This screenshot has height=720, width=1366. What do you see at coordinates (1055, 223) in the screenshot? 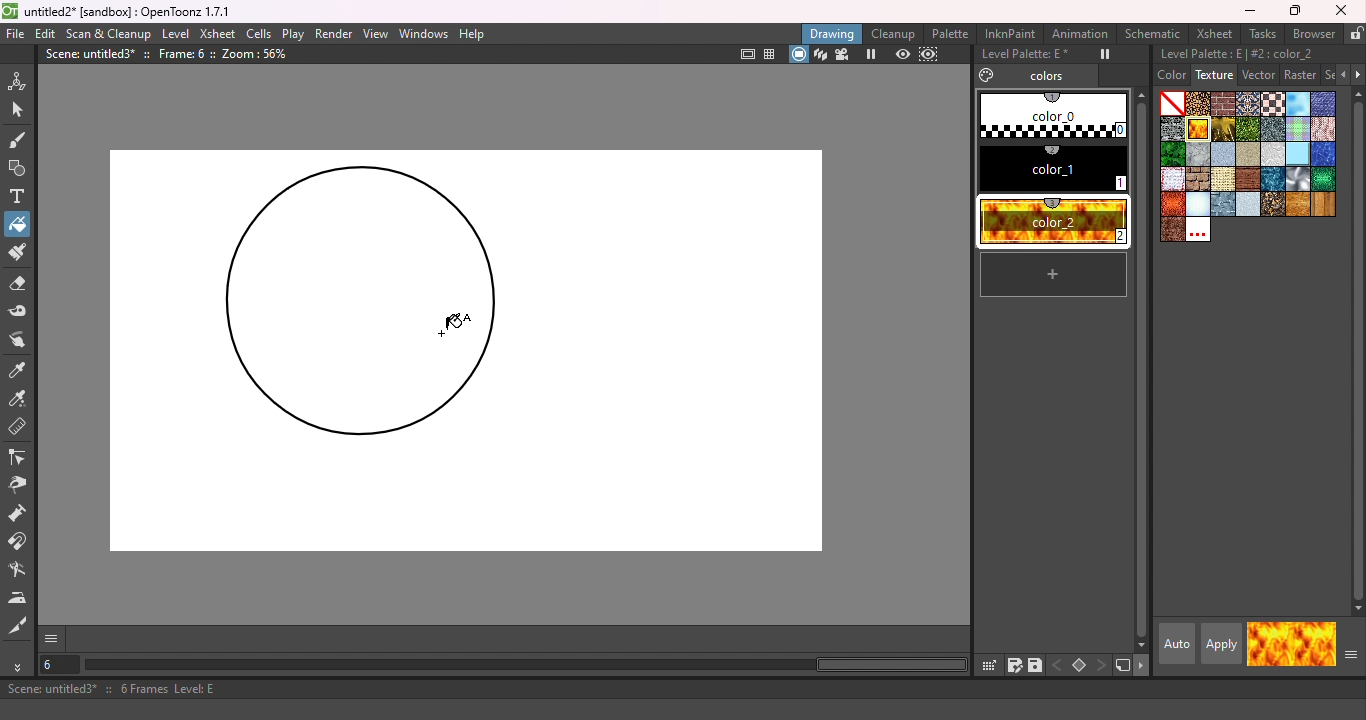
I see `#2 color_2` at bounding box center [1055, 223].